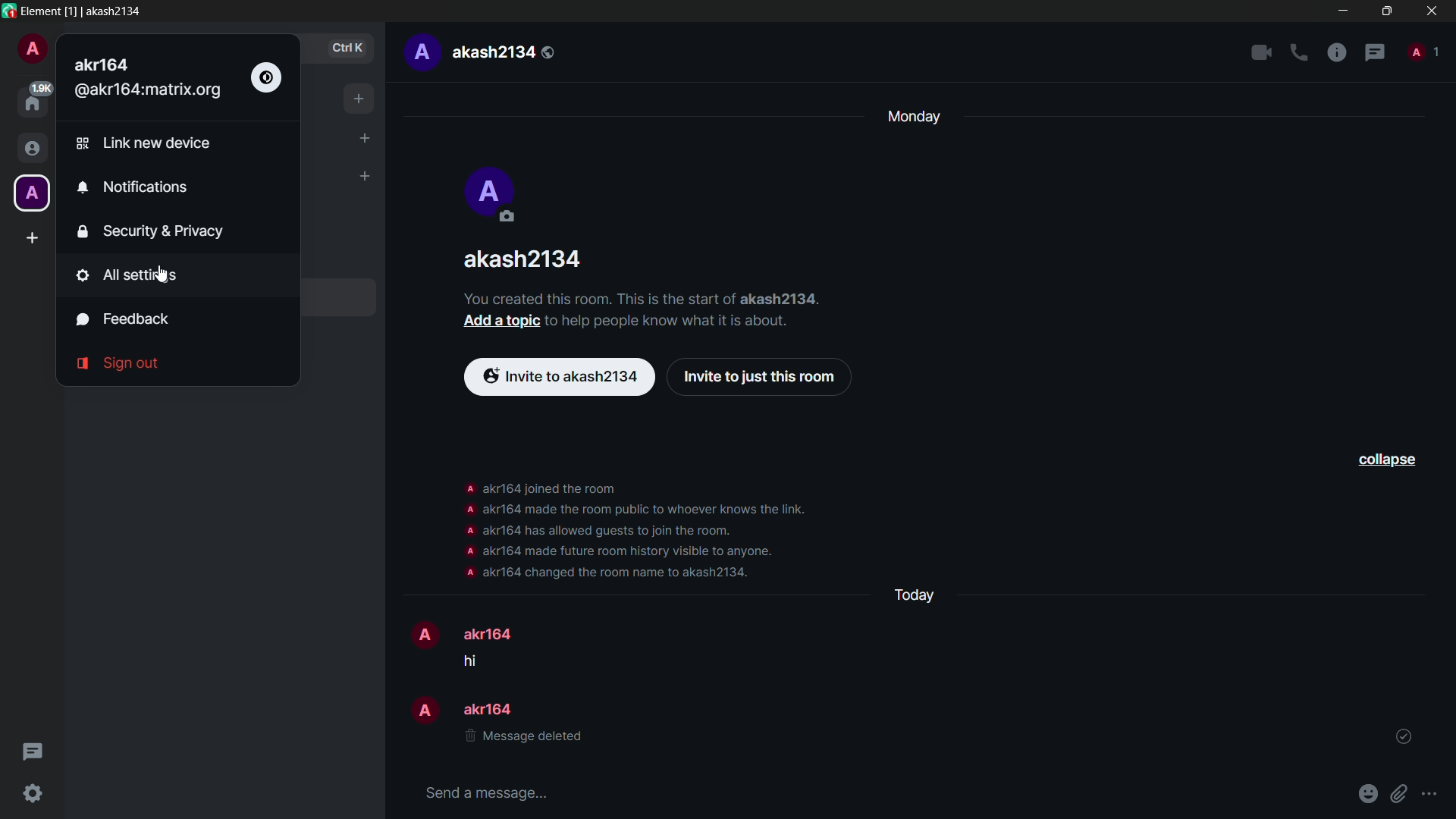 This screenshot has width=1456, height=819. Describe the element at coordinates (681, 319) in the screenshot. I see `to help people know what it is about.` at that location.